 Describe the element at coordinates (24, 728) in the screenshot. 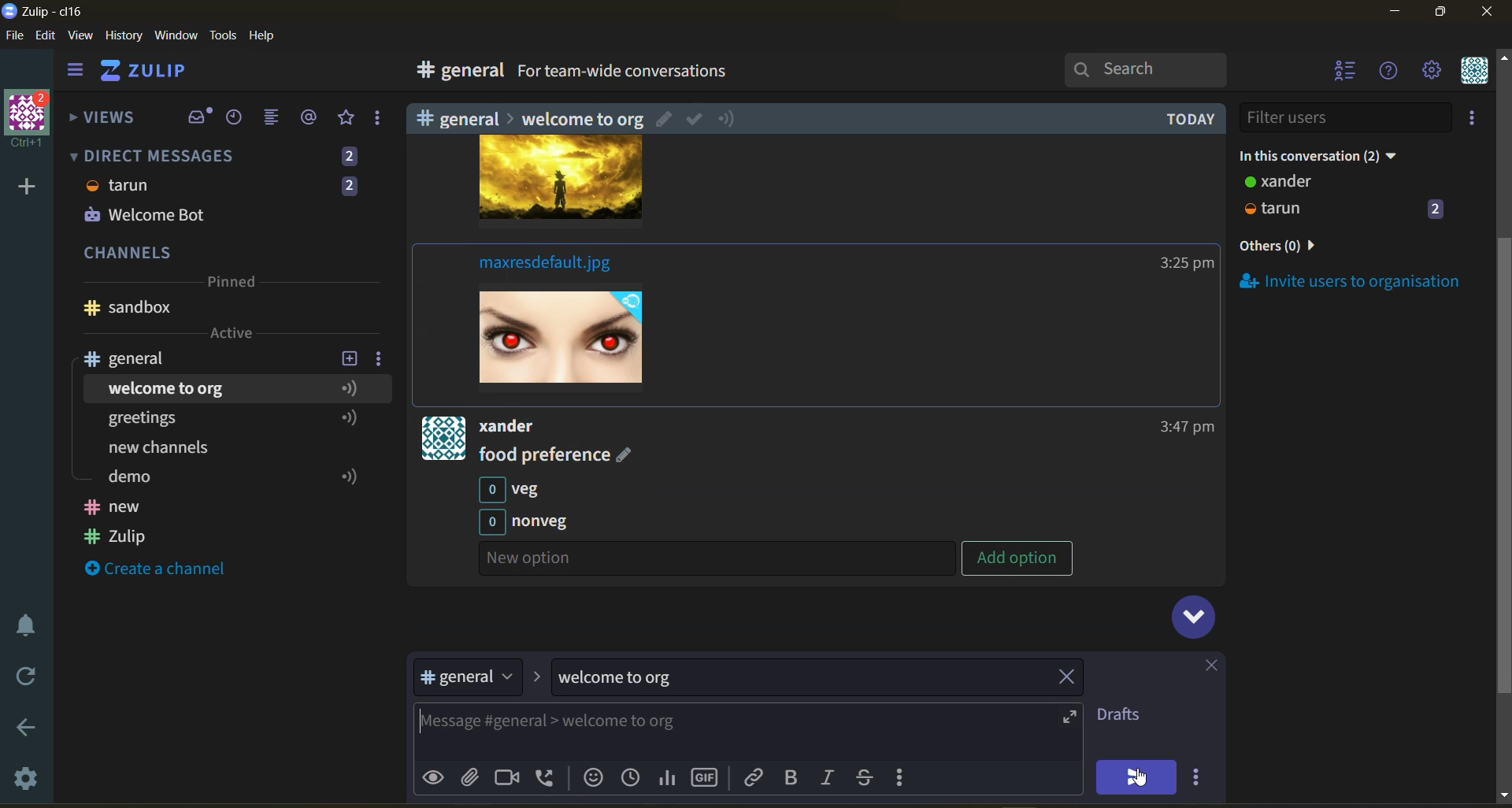

I see `go back` at that location.